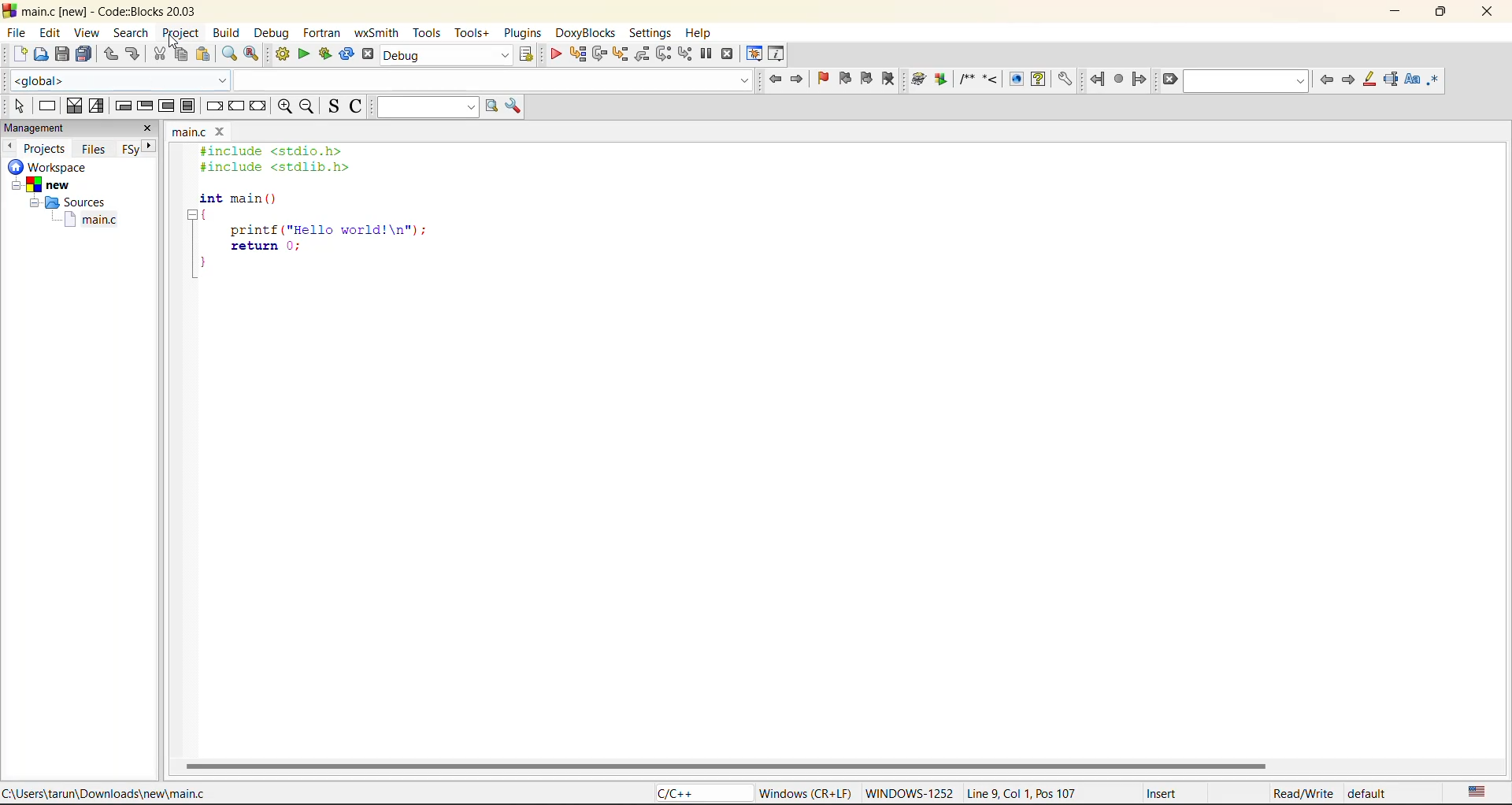 Image resolution: width=1512 pixels, height=805 pixels. Describe the element at coordinates (1477, 789) in the screenshot. I see `text language` at that location.